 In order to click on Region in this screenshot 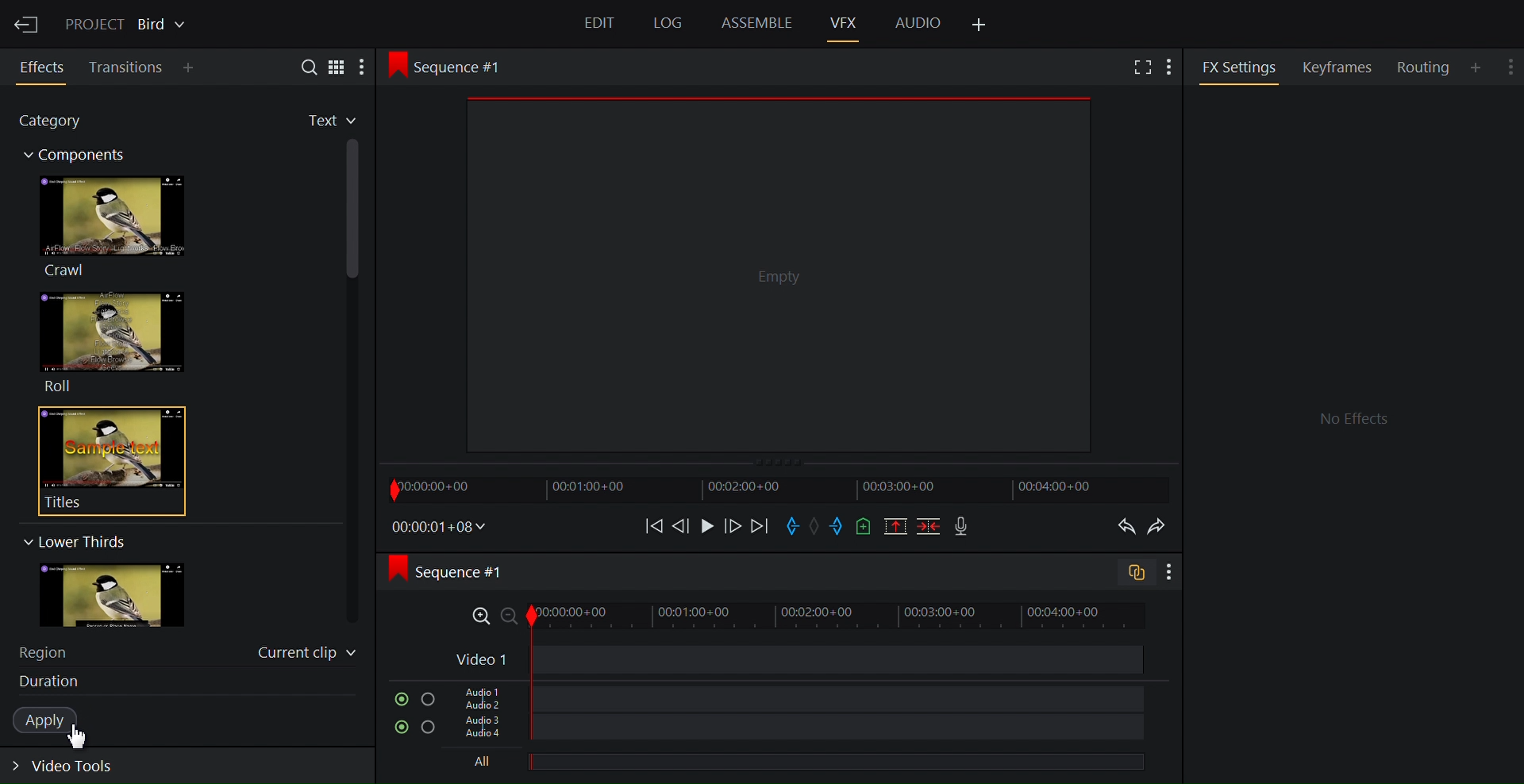, I will do `click(52, 651)`.